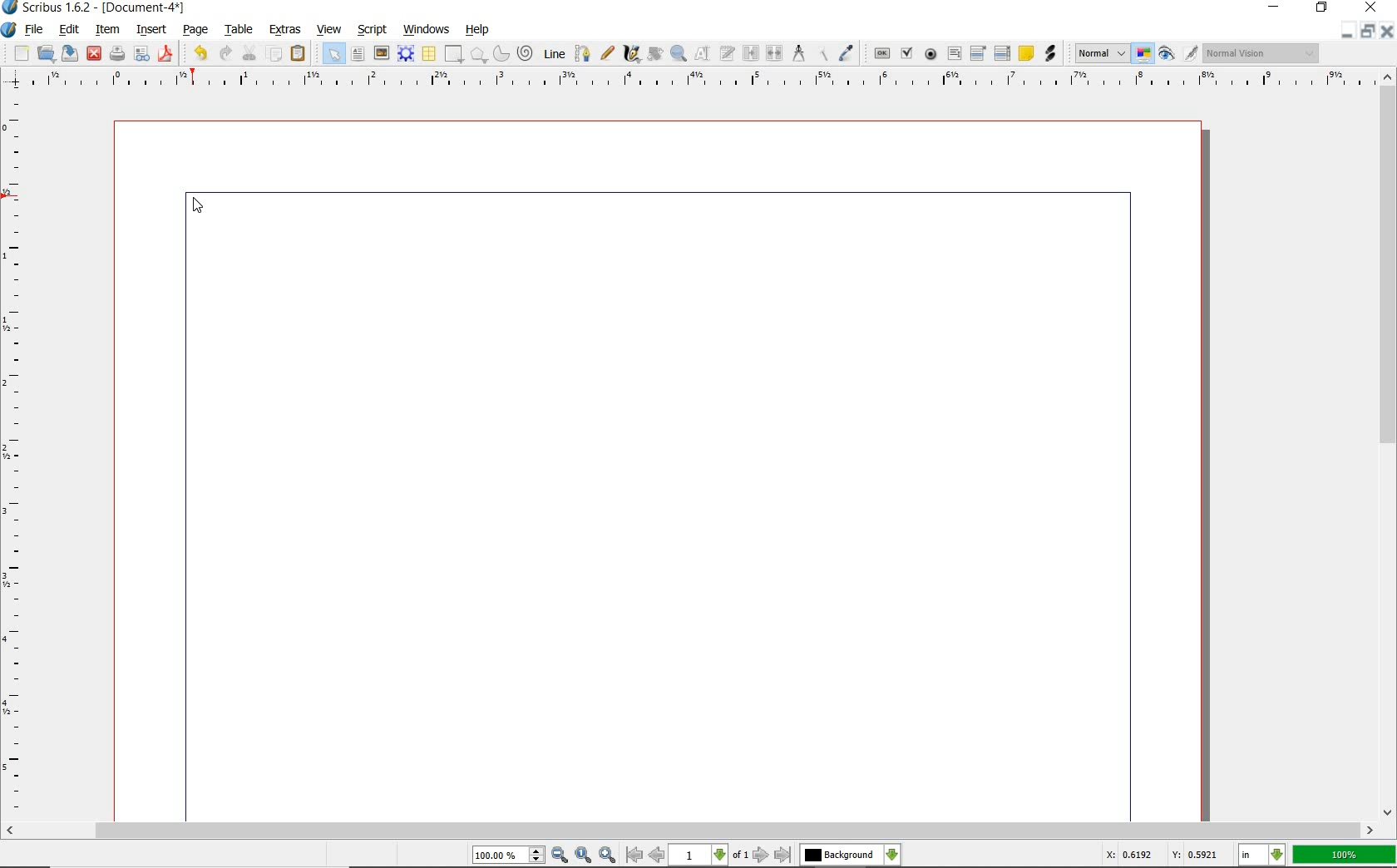  Describe the element at coordinates (332, 52) in the screenshot. I see `select` at that location.